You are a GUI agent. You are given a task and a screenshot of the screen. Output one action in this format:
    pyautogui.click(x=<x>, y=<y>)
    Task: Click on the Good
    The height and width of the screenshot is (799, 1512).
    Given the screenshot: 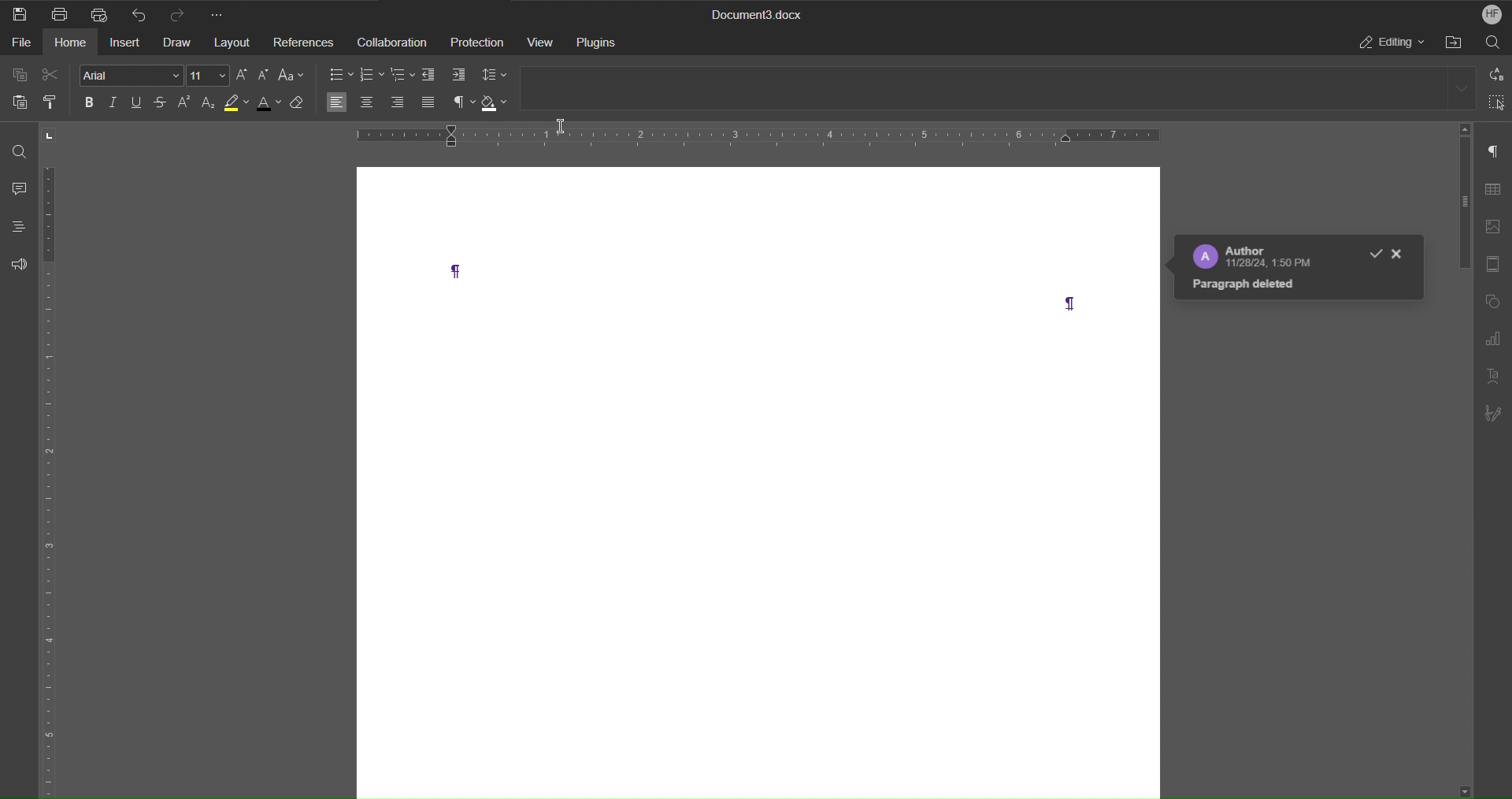 What is the action you would take?
    pyautogui.click(x=1373, y=253)
    